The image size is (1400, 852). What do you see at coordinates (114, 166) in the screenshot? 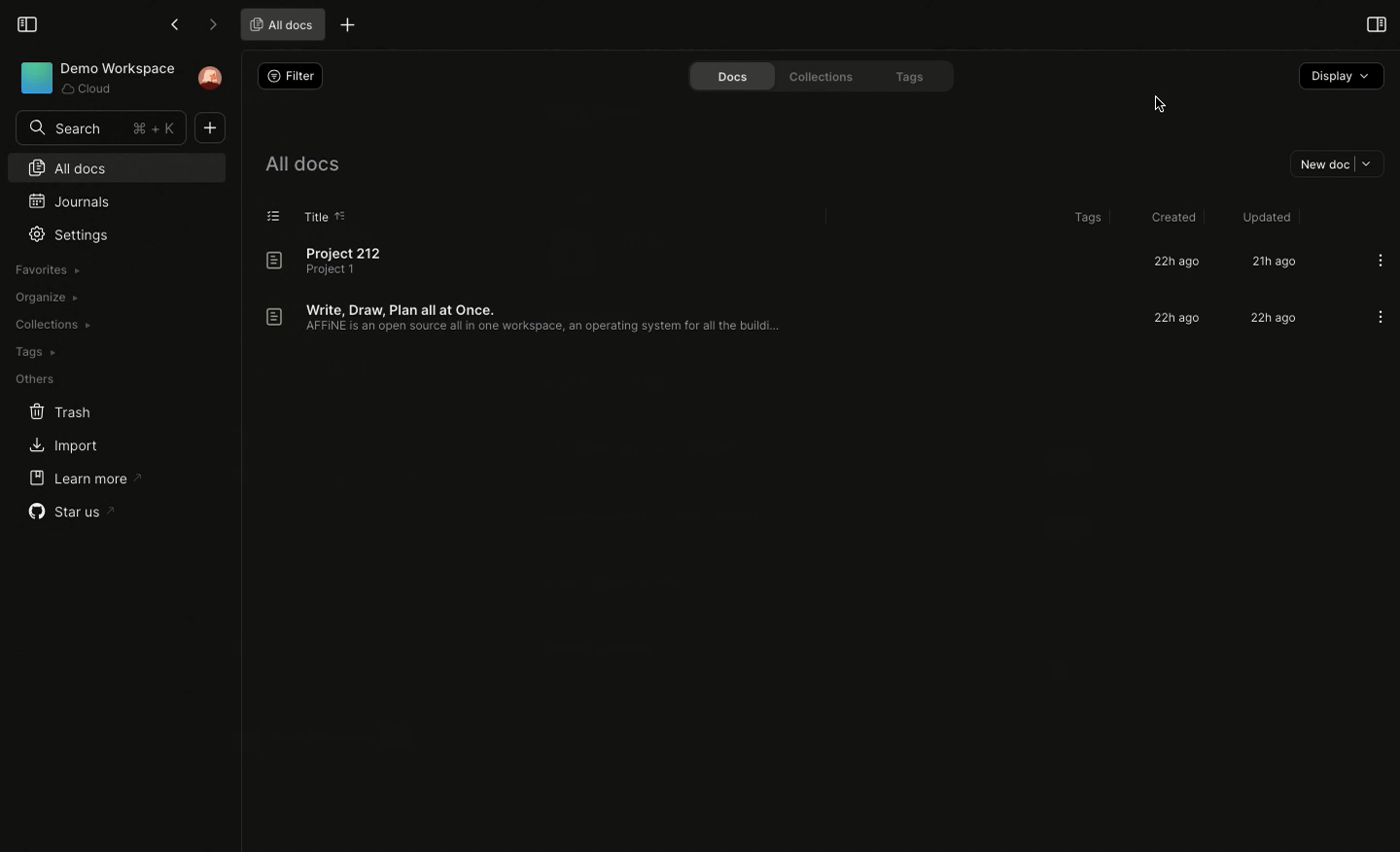
I see `All docs` at bounding box center [114, 166].